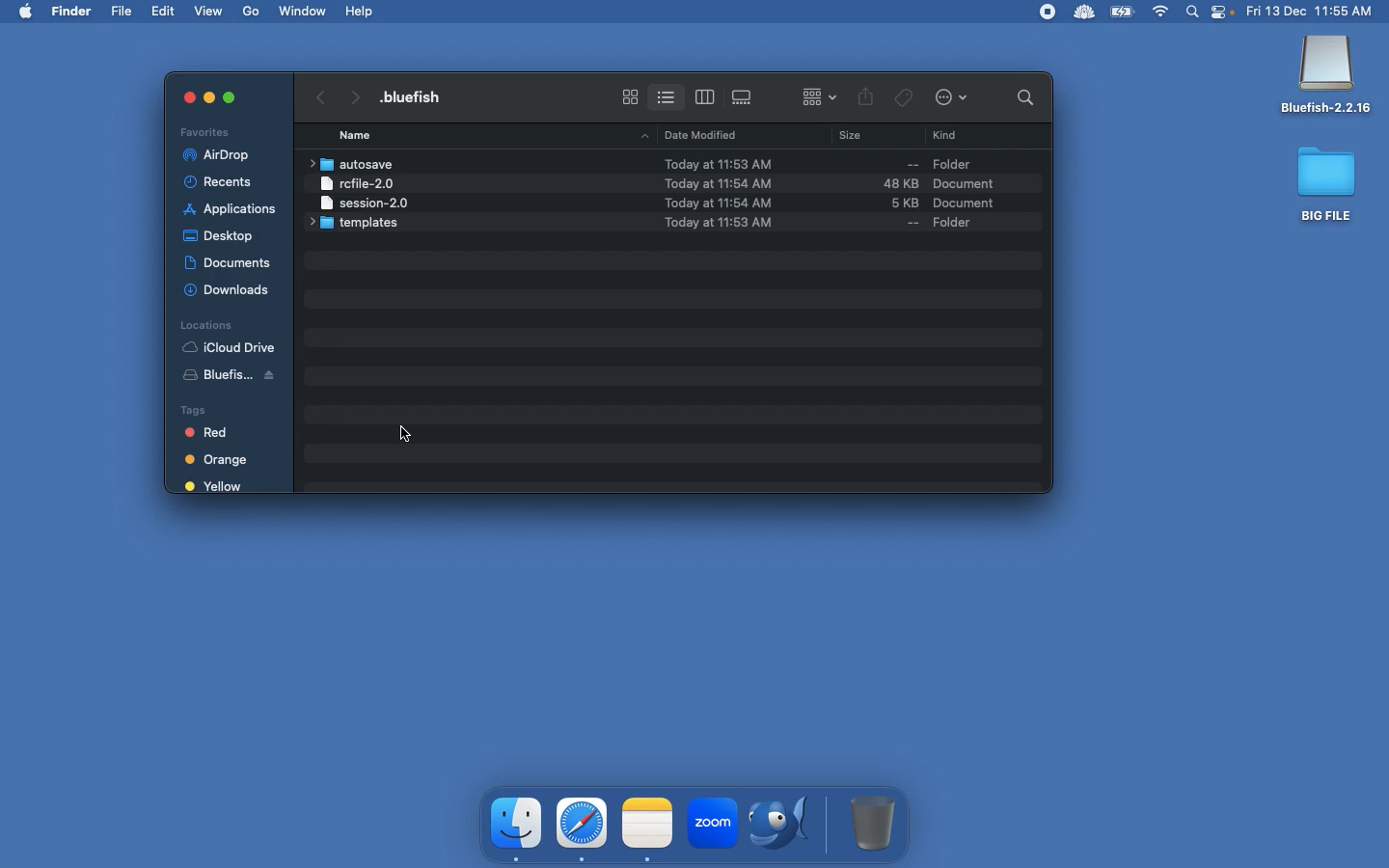 Image resolution: width=1389 pixels, height=868 pixels. What do you see at coordinates (1122, 14) in the screenshot?
I see `Charge` at bounding box center [1122, 14].